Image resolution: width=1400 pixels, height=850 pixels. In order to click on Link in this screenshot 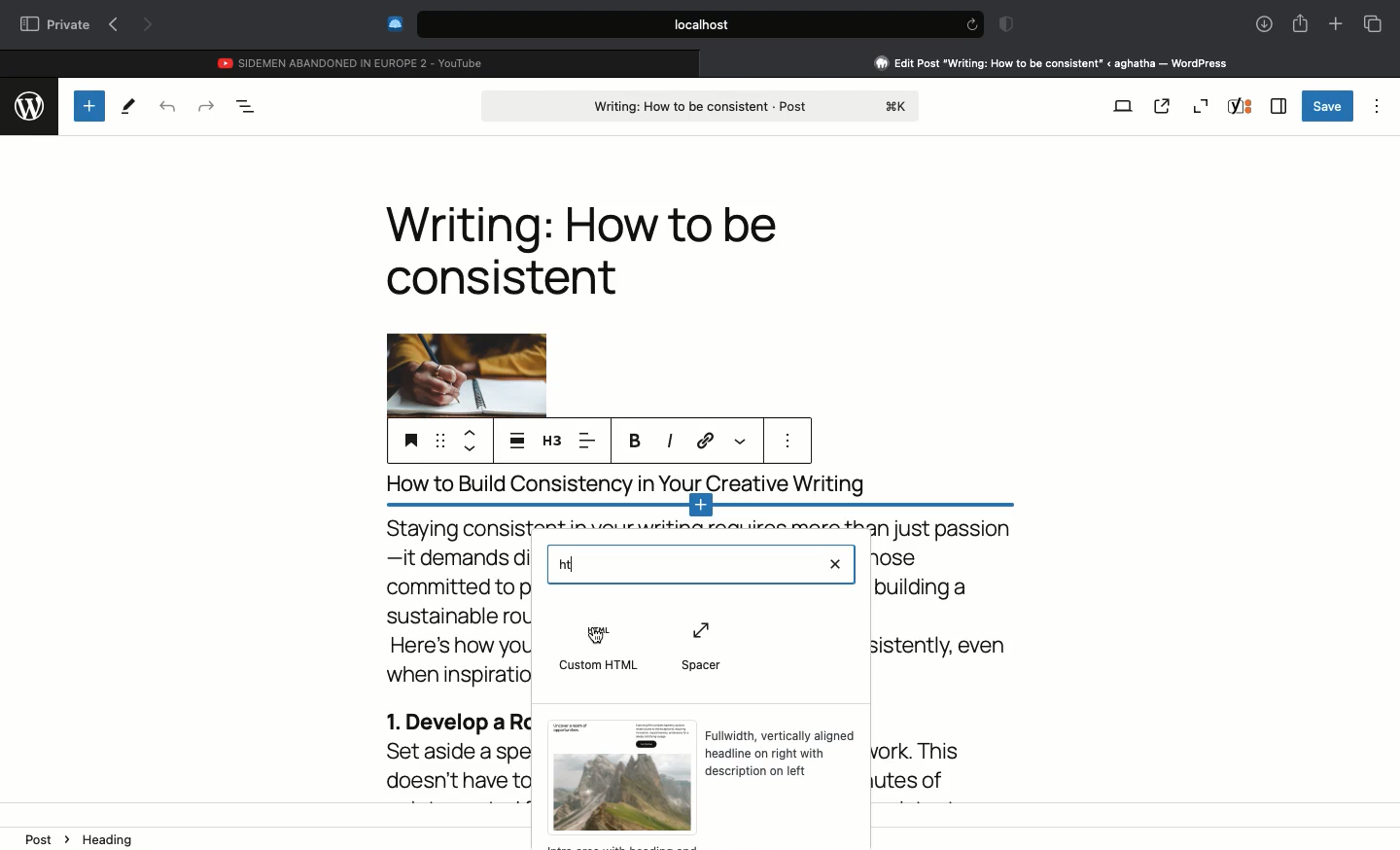, I will do `click(707, 442)`.